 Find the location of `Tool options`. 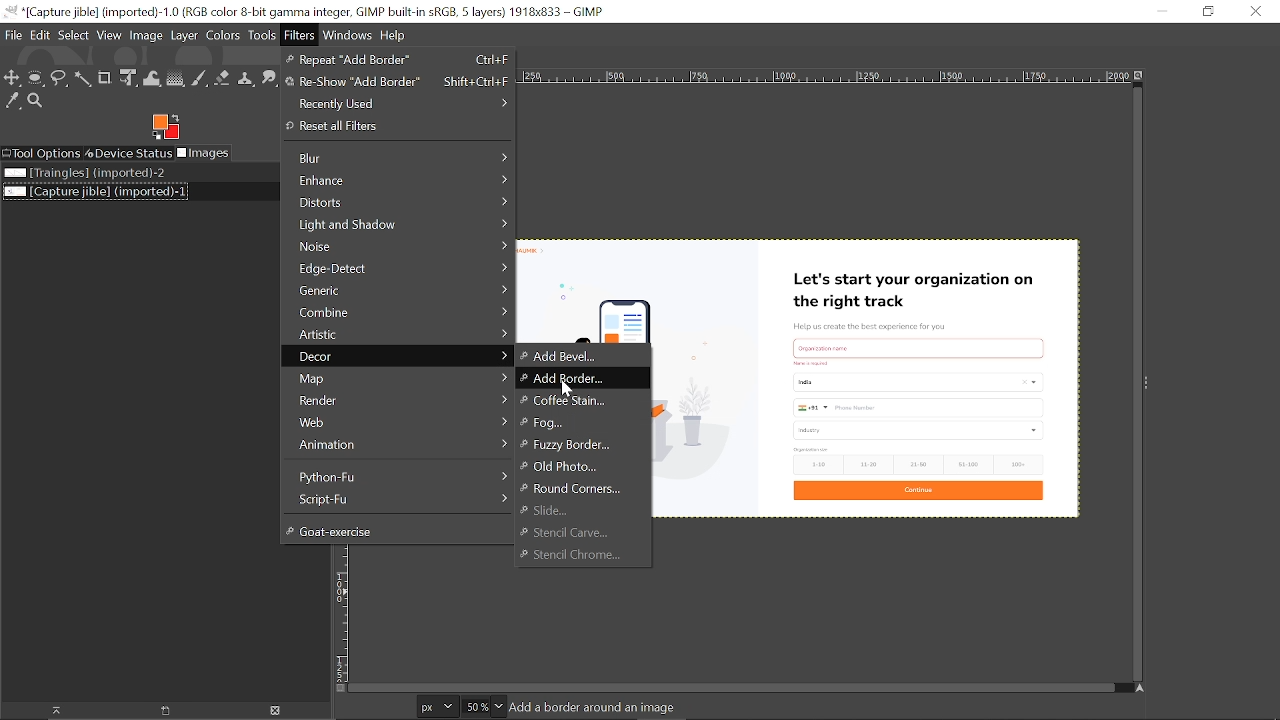

Tool options is located at coordinates (42, 153).